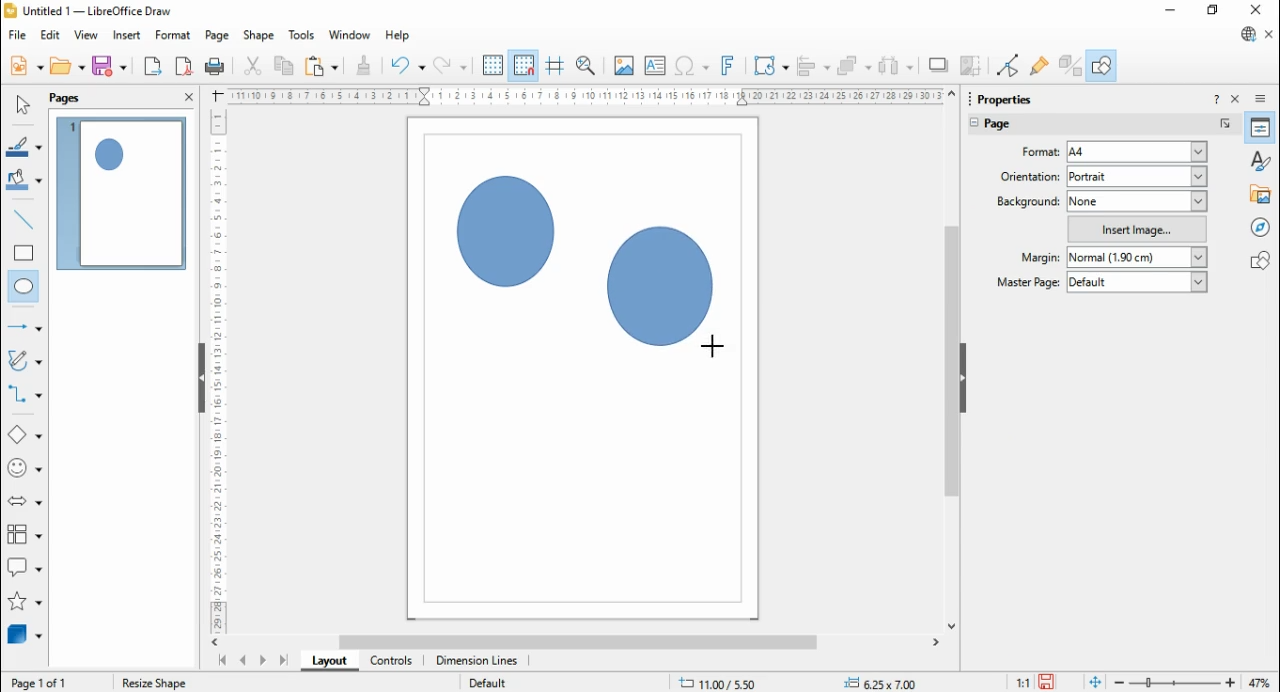  I want to click on insert fontwork text, so click(728, 65).